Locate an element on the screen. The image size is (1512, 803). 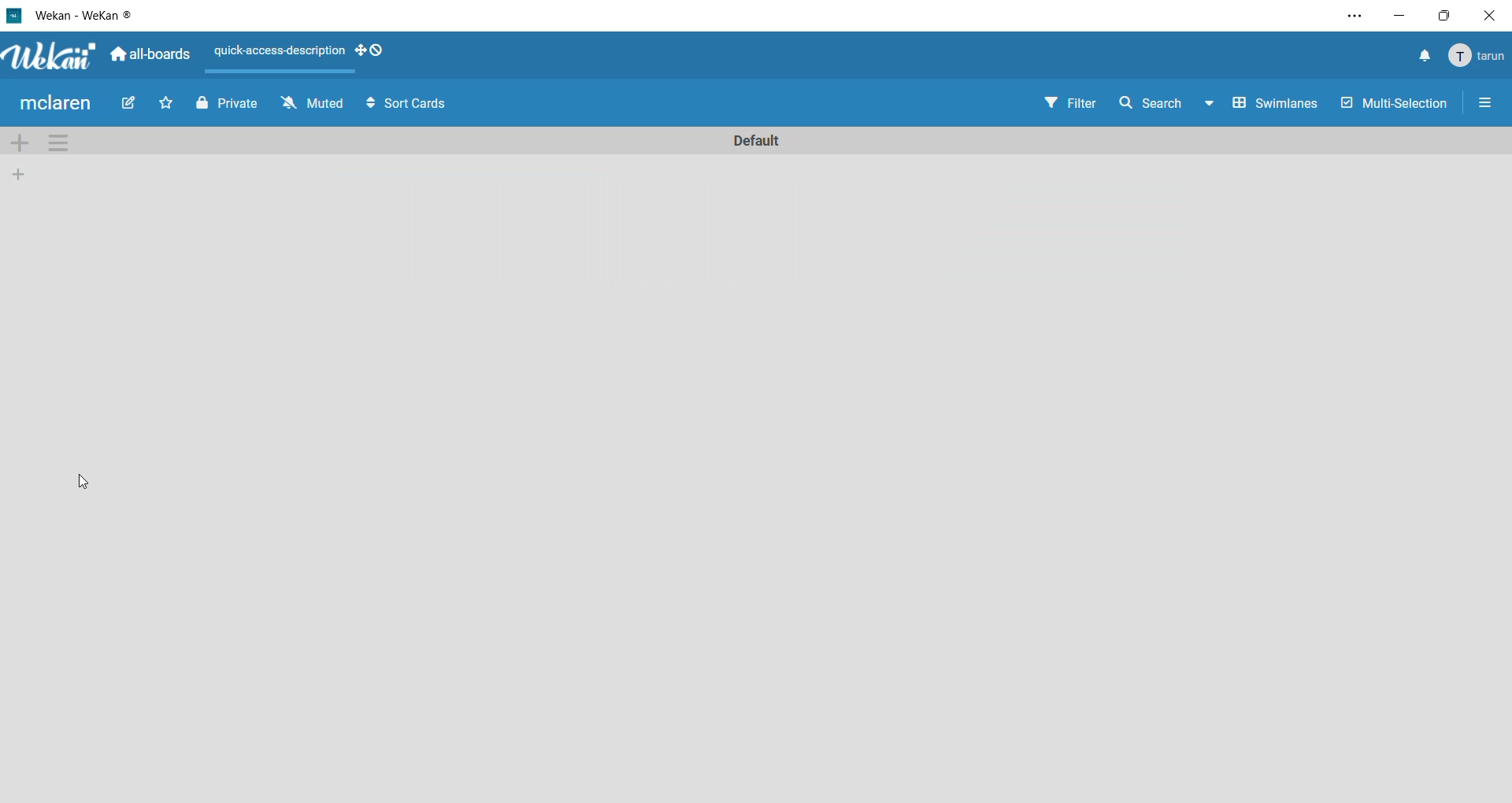
cursor is located at coordinates (87, 484).